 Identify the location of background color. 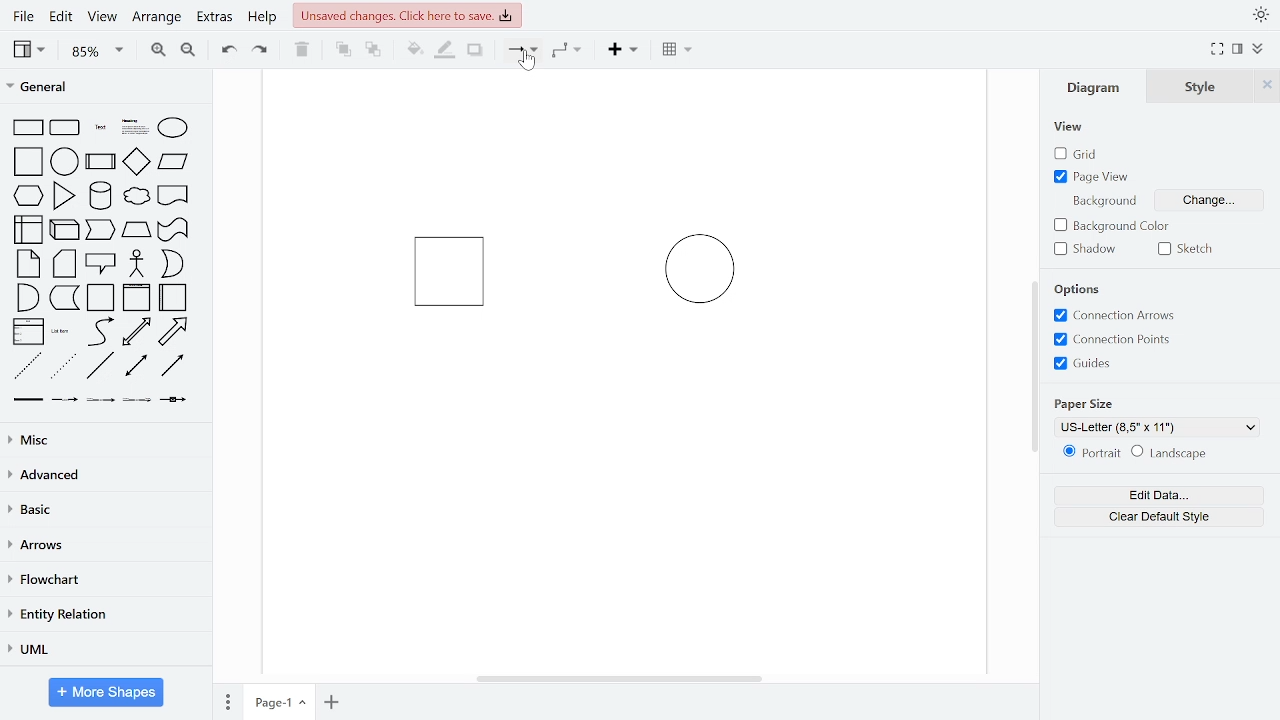
(1115, 227).